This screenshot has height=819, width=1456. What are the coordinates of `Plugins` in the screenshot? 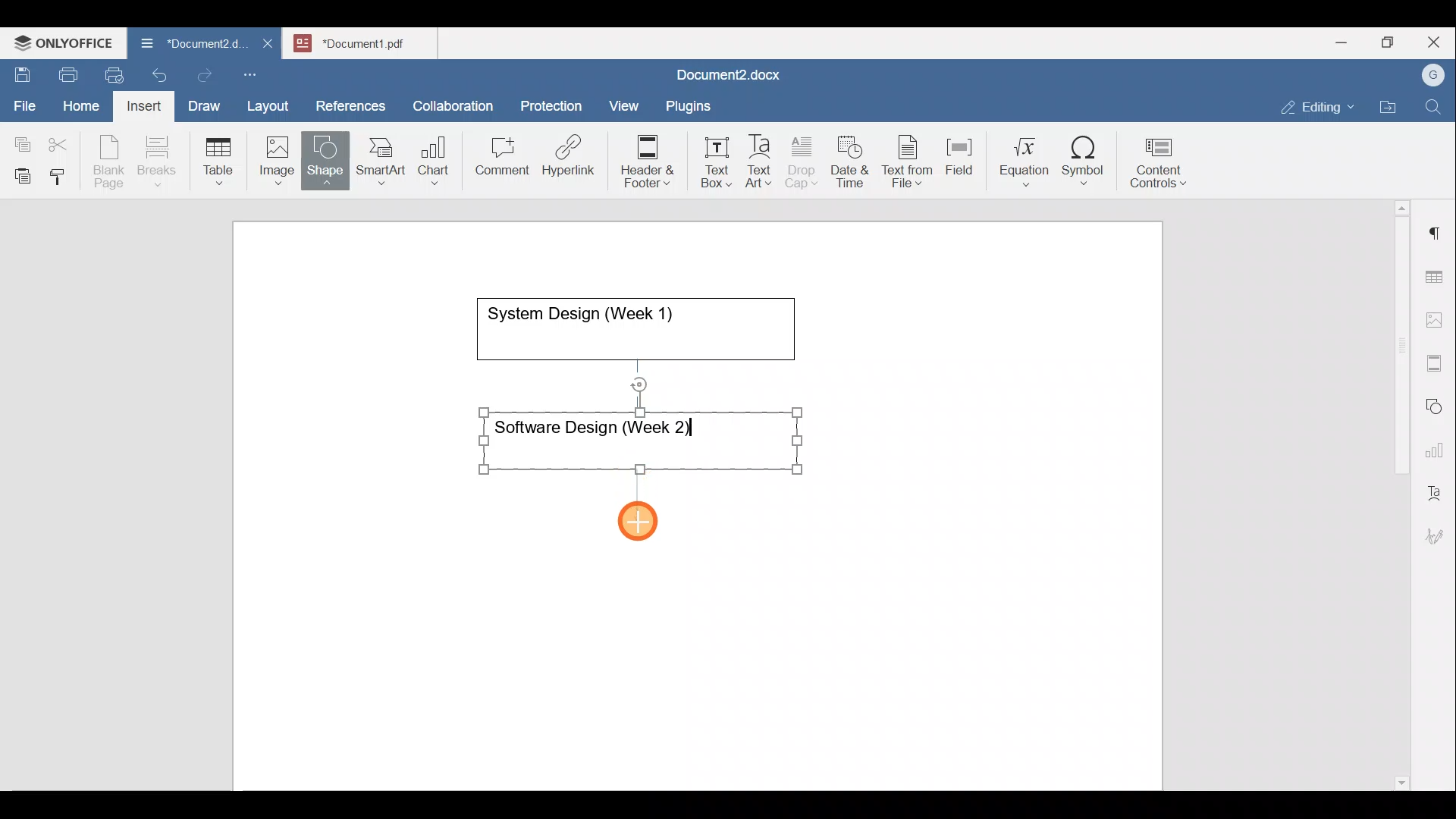 It's located at (693, 104).